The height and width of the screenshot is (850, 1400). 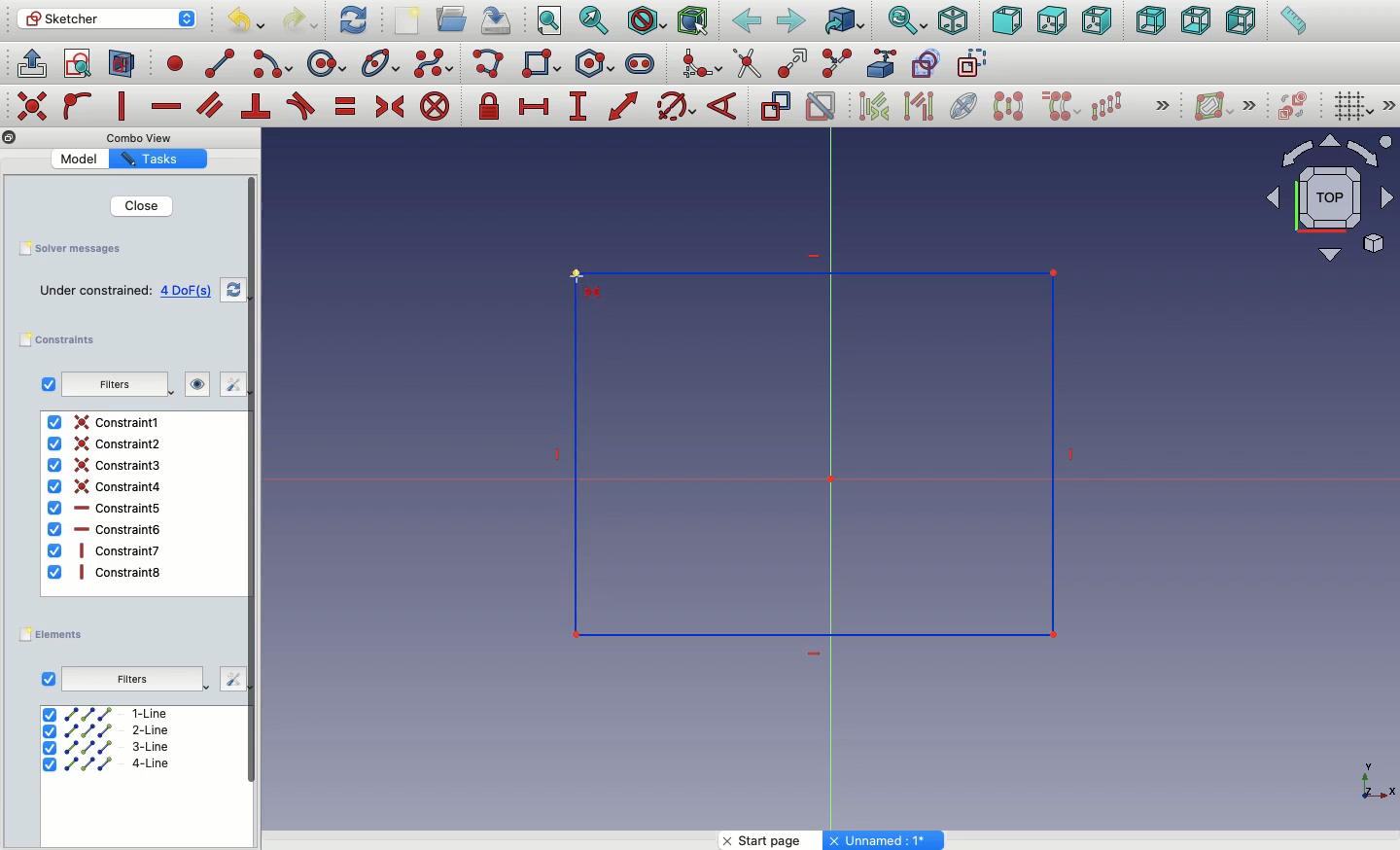 What do you see at coordinates (110, 731) in the screenshot?
I see `2-line` at bounding box center [110, 731].